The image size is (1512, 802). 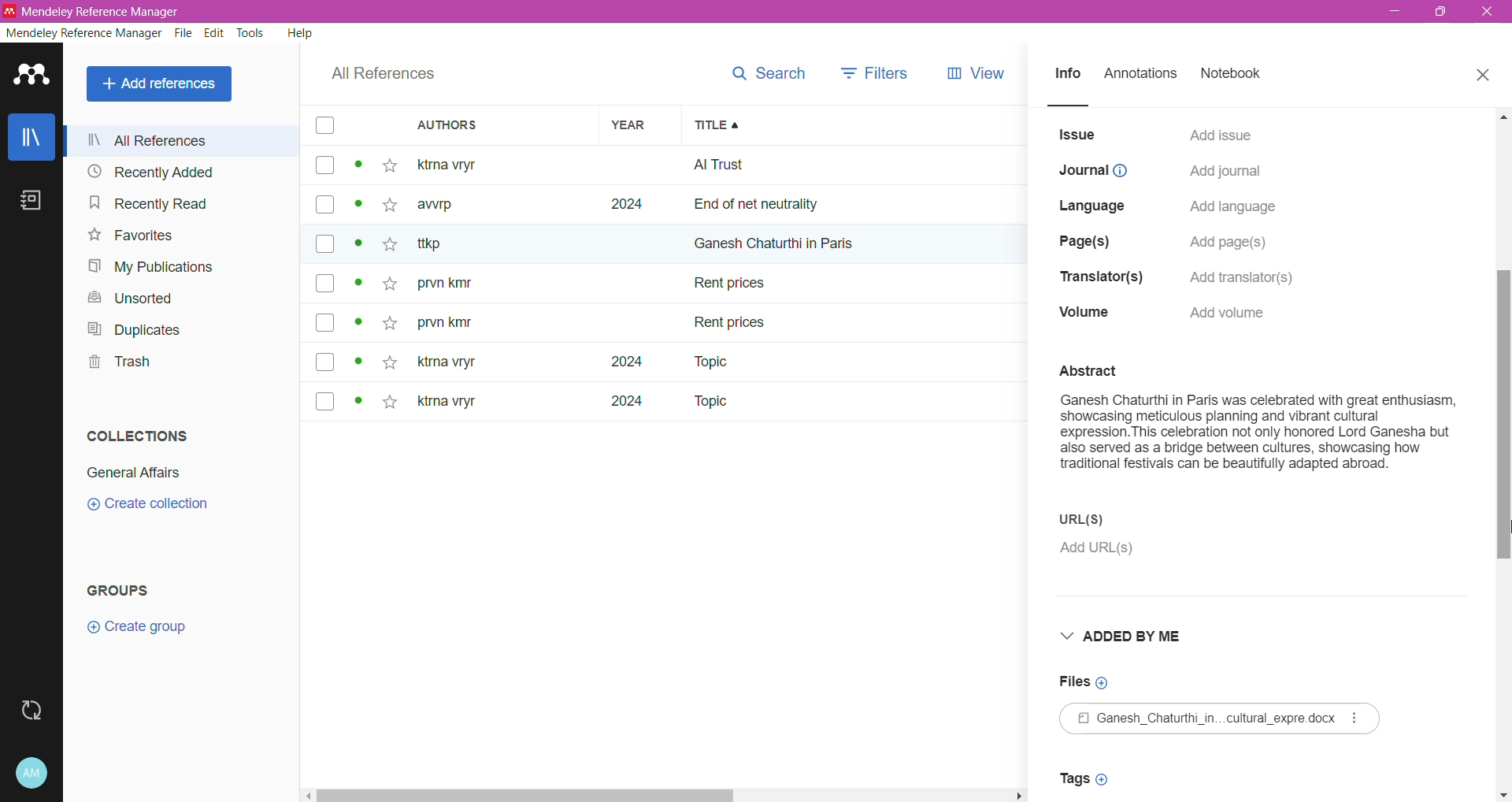 What do you see at coordinates (1078, 135) in the screenshot?
I see `Issue` at bounding box center [1078, 135].